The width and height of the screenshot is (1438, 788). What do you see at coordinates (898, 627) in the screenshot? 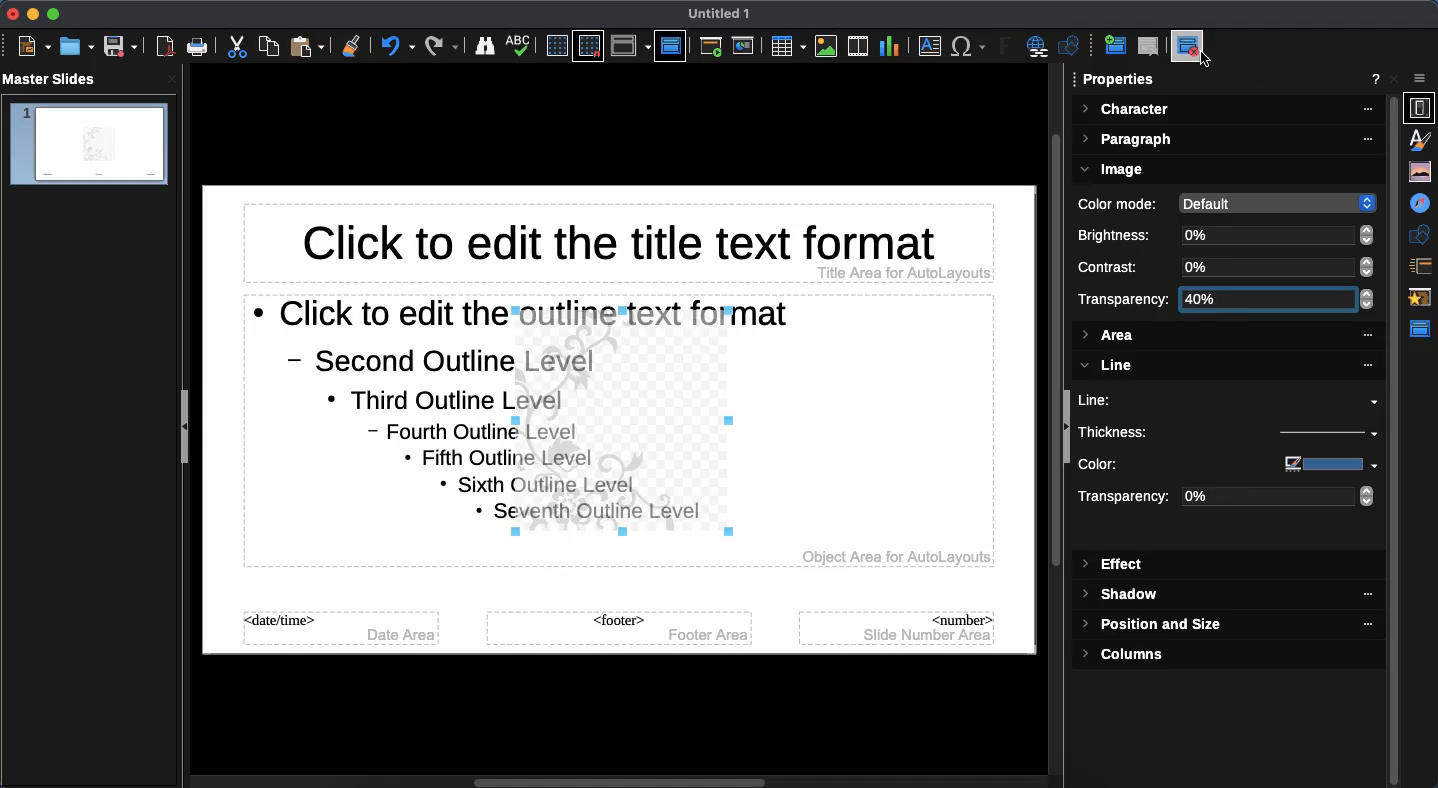
I see `Master slide number` at bounding box center [898, 627].